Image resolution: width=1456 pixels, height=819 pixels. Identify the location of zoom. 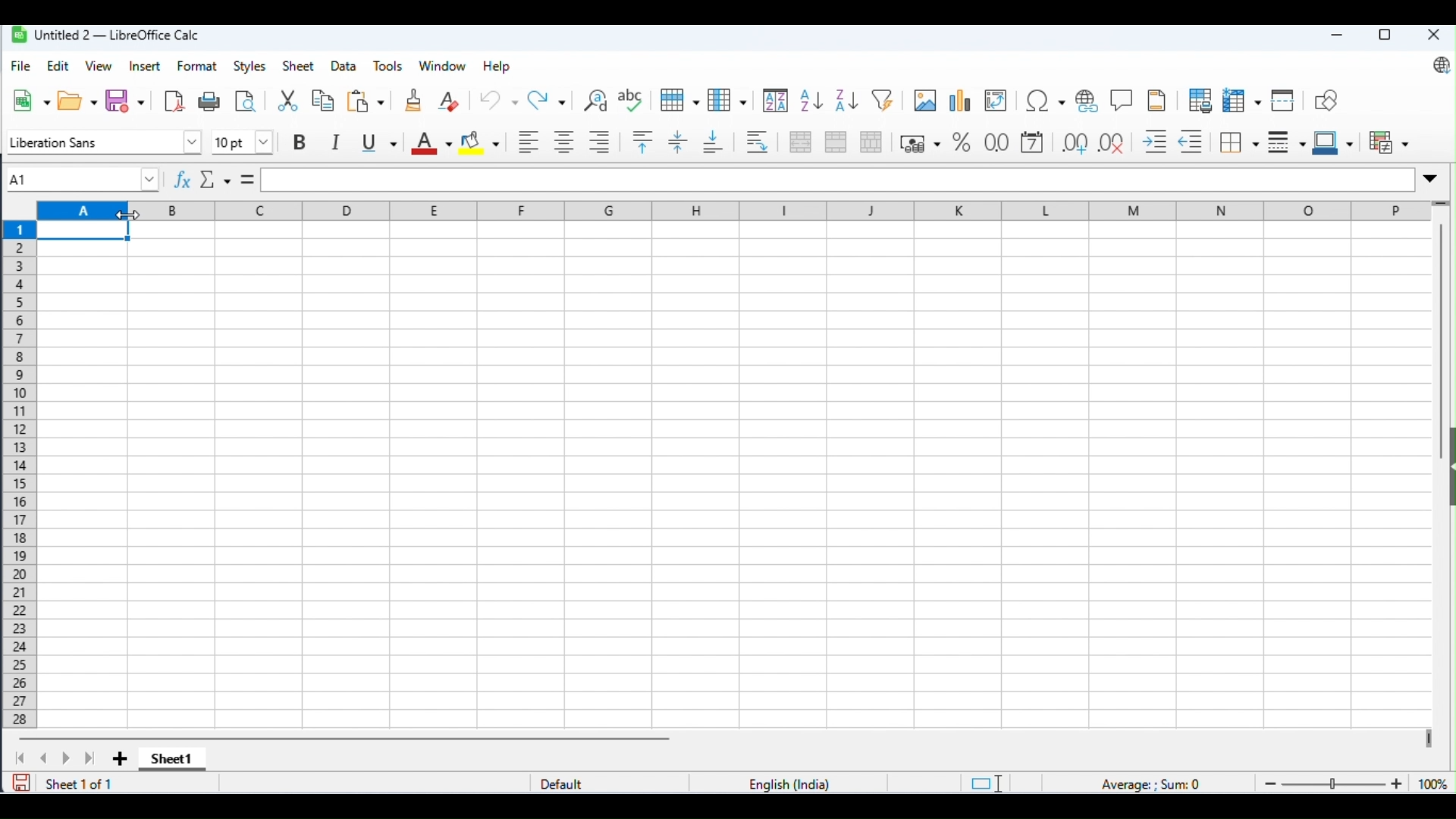
(1352, 782).